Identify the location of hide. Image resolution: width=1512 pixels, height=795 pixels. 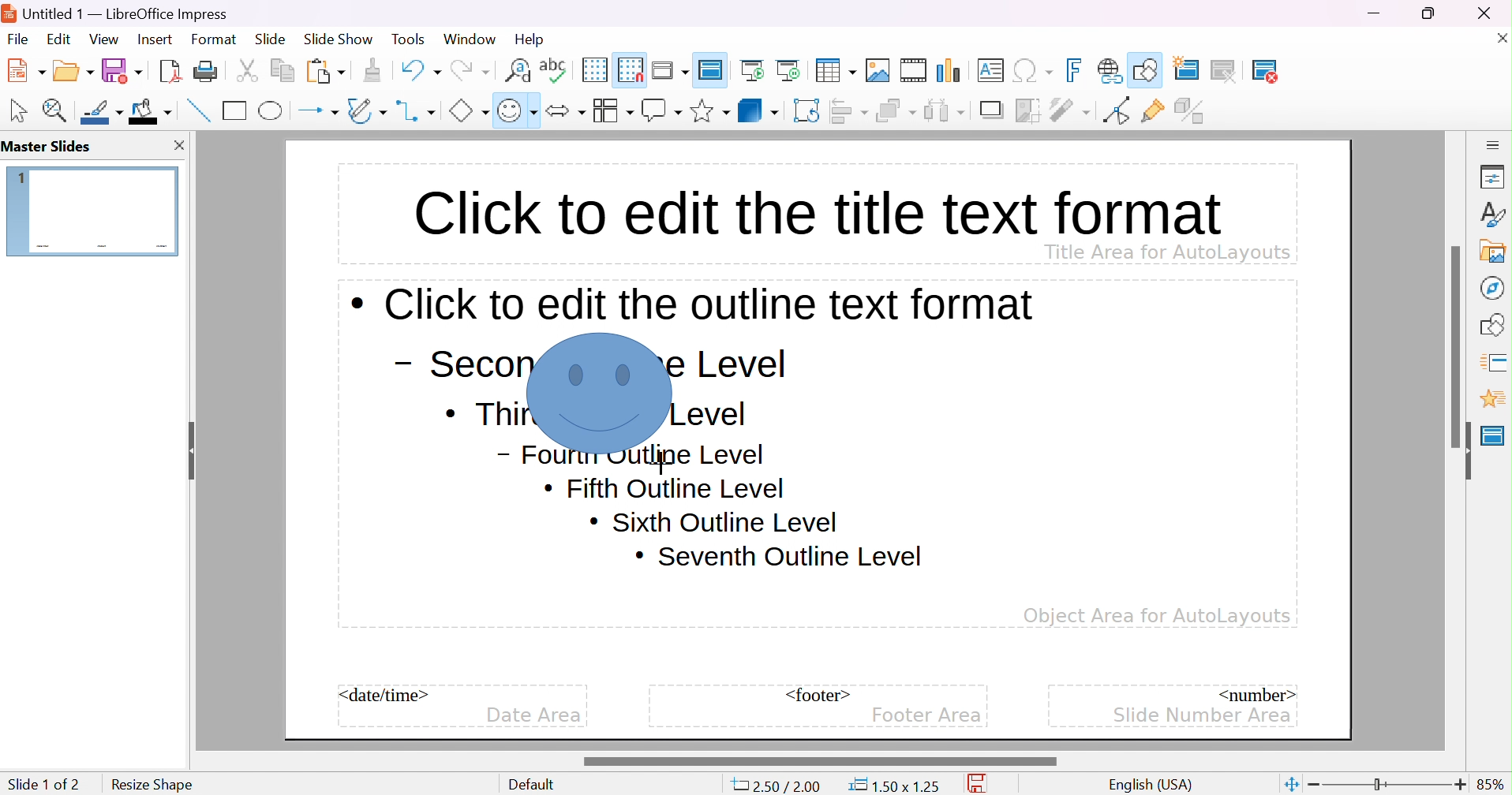
(1463, 451).